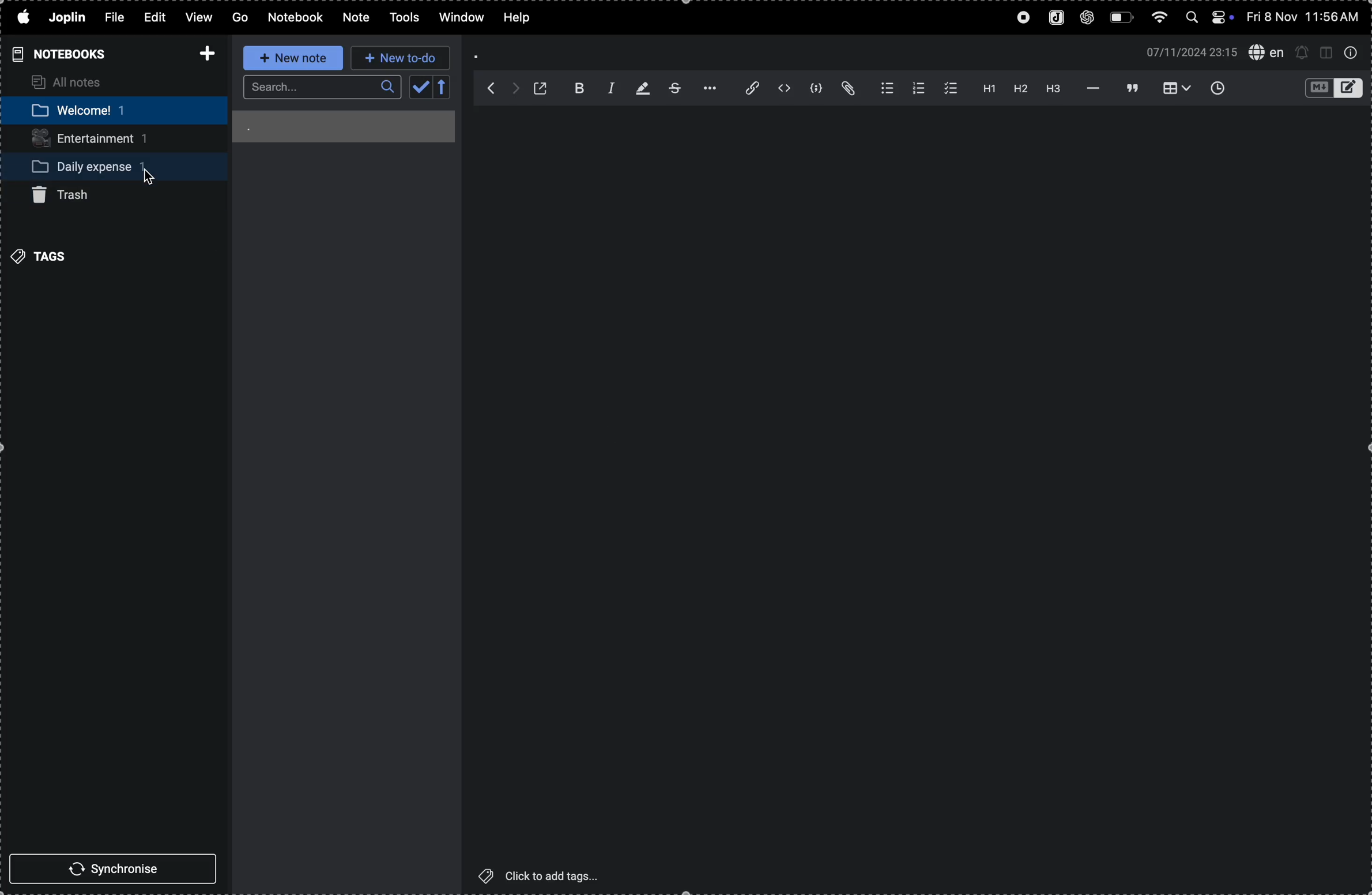 The height and width of the screenshot is (895, 1372). Describe the element at coordinates (1171, 88) in the screenshot. I see `table view` at that location.